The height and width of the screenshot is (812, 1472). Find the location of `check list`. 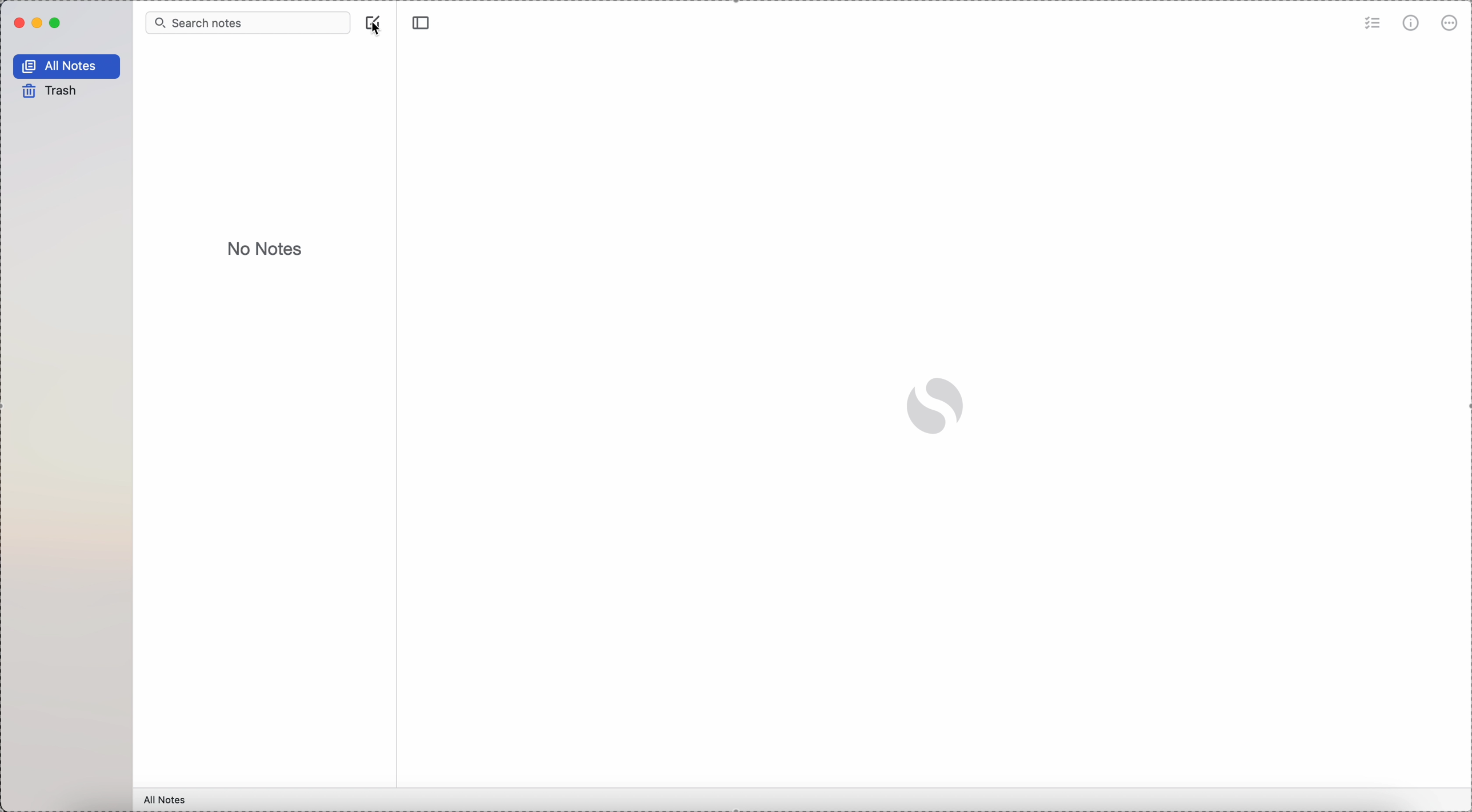

check list is located at coordinates (1371, 22).